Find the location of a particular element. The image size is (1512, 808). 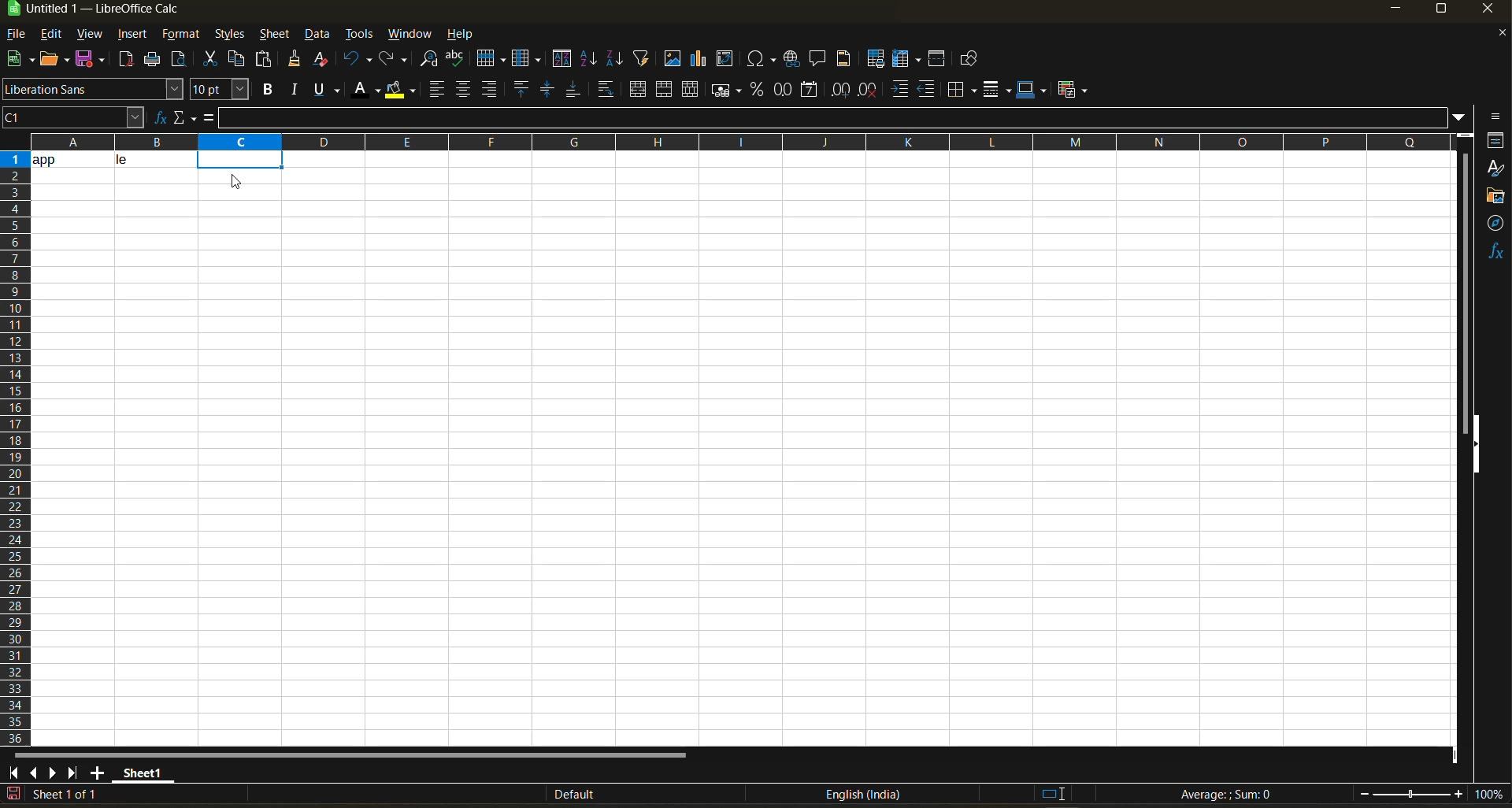

zoom slider is located at coordinates (1411, 795).